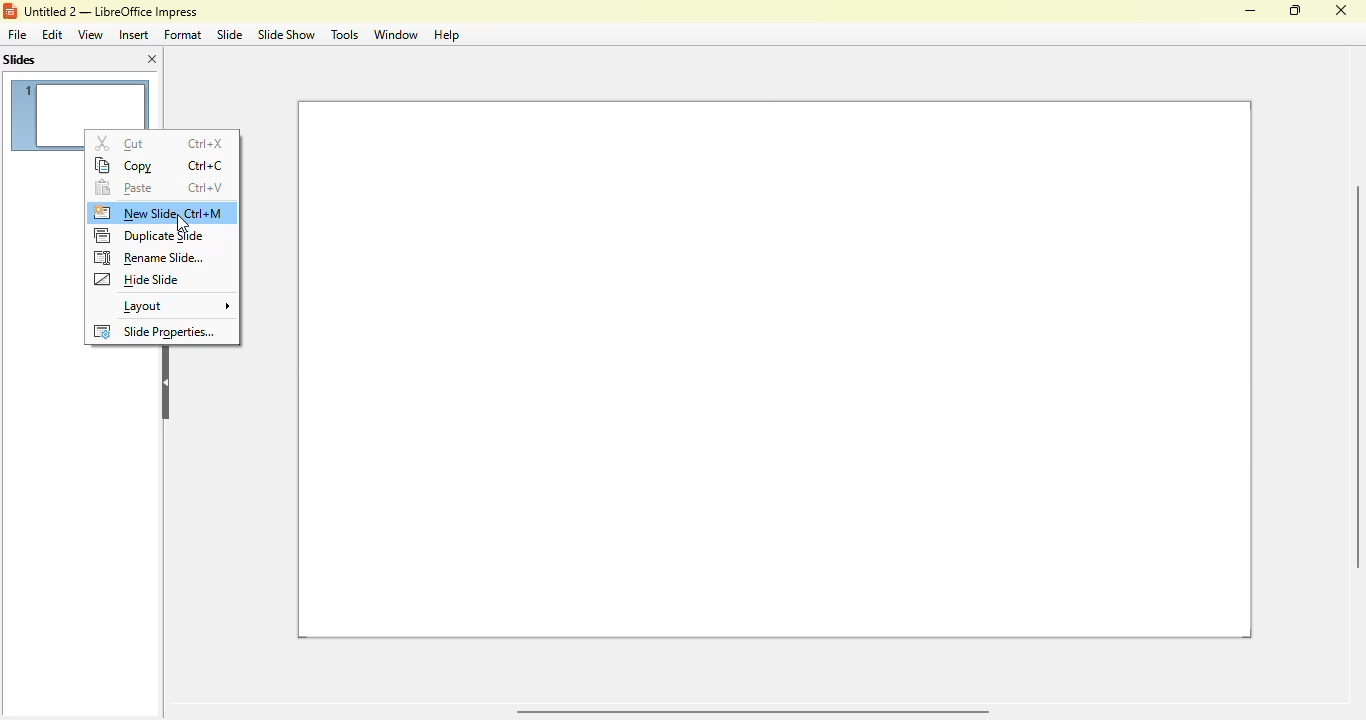 Image resolution: width=1366 pixels, height=720 pixels. What do you see at coordinates (126, 166) in the screenshot?
I see `copy` at bounding box center [126, 166].